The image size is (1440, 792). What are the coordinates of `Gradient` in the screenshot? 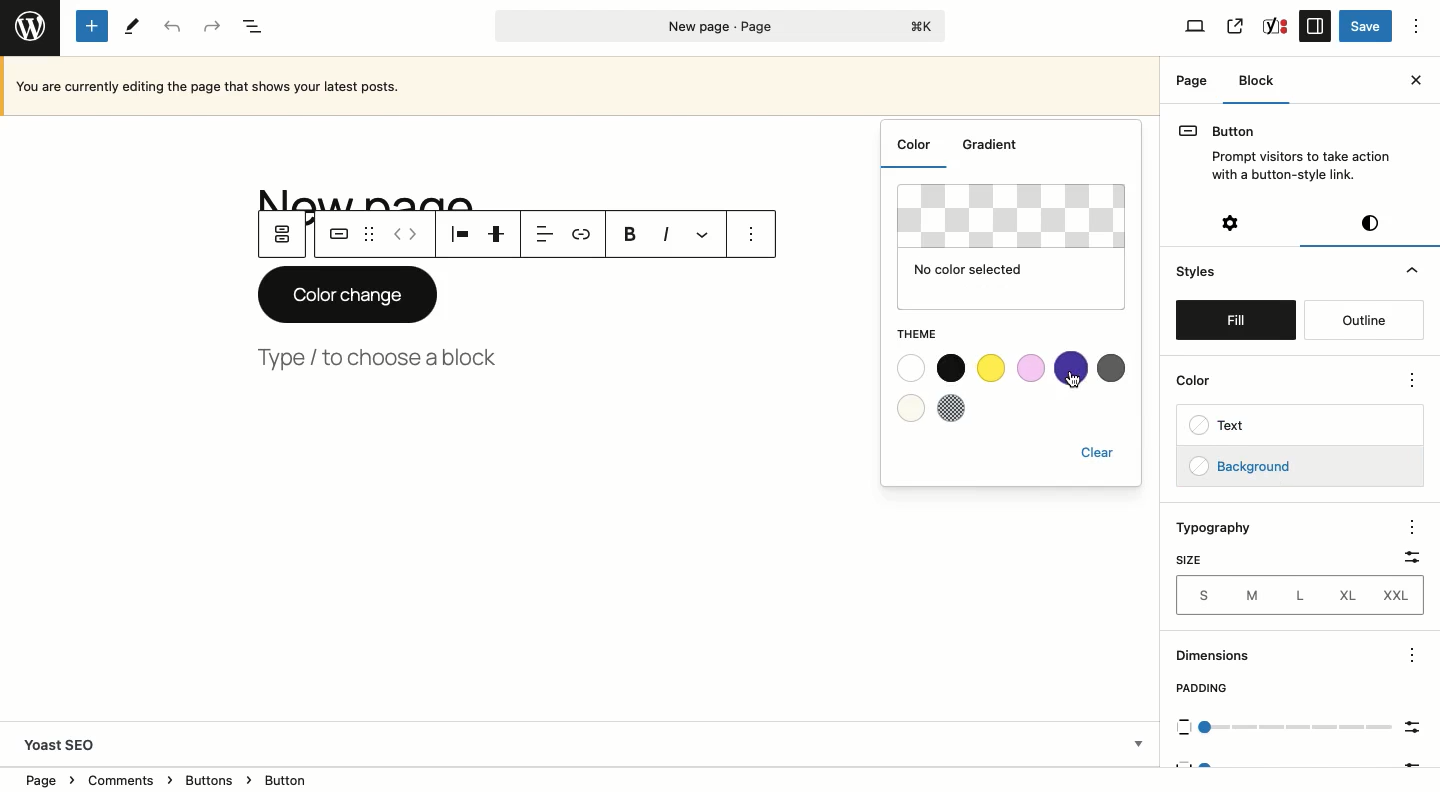 It's located at (994, 144).